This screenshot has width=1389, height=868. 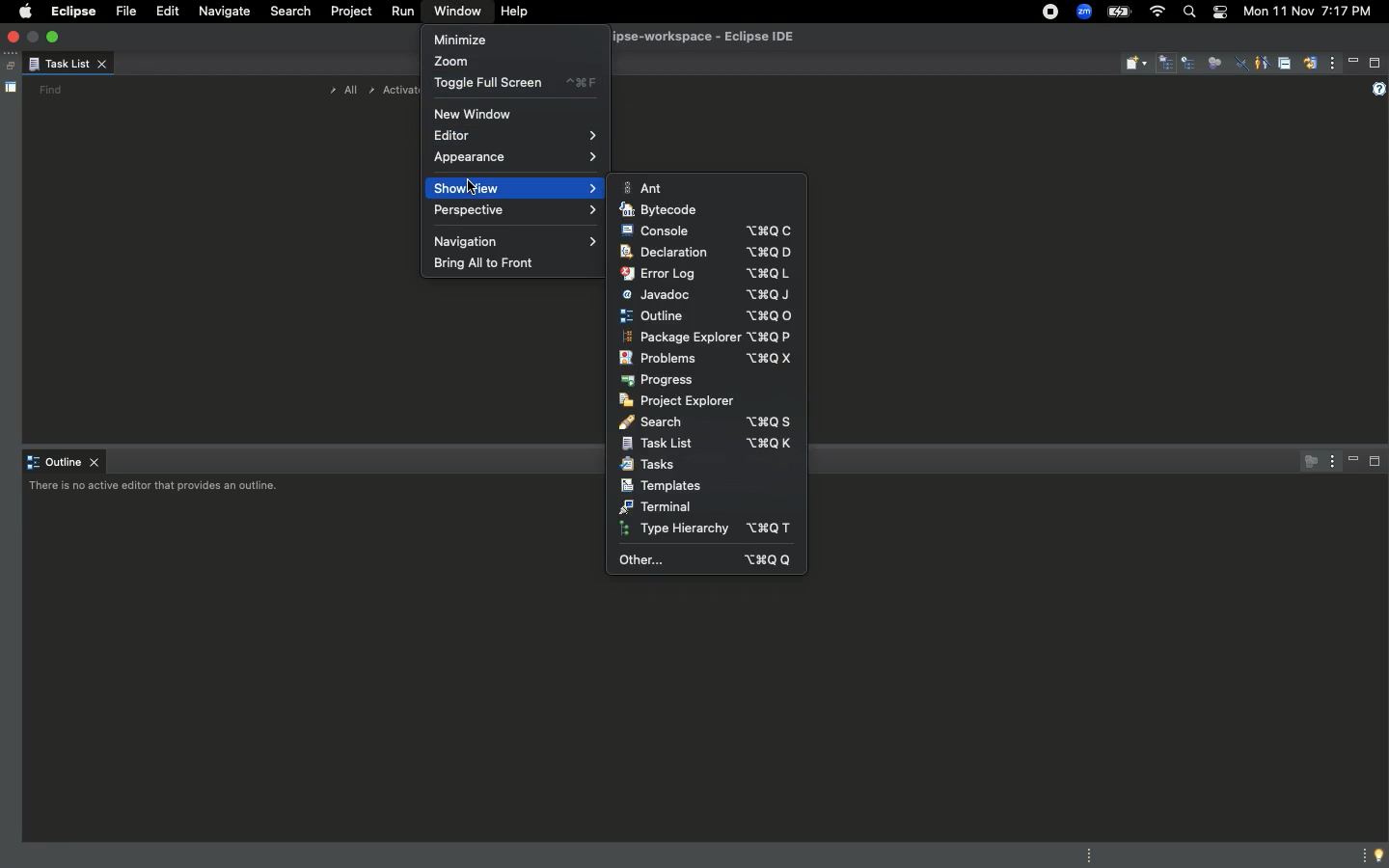 What do you see at coordinates (35, 36) in the screenshot?
I see `minimize` at bounding box center [35, 36].